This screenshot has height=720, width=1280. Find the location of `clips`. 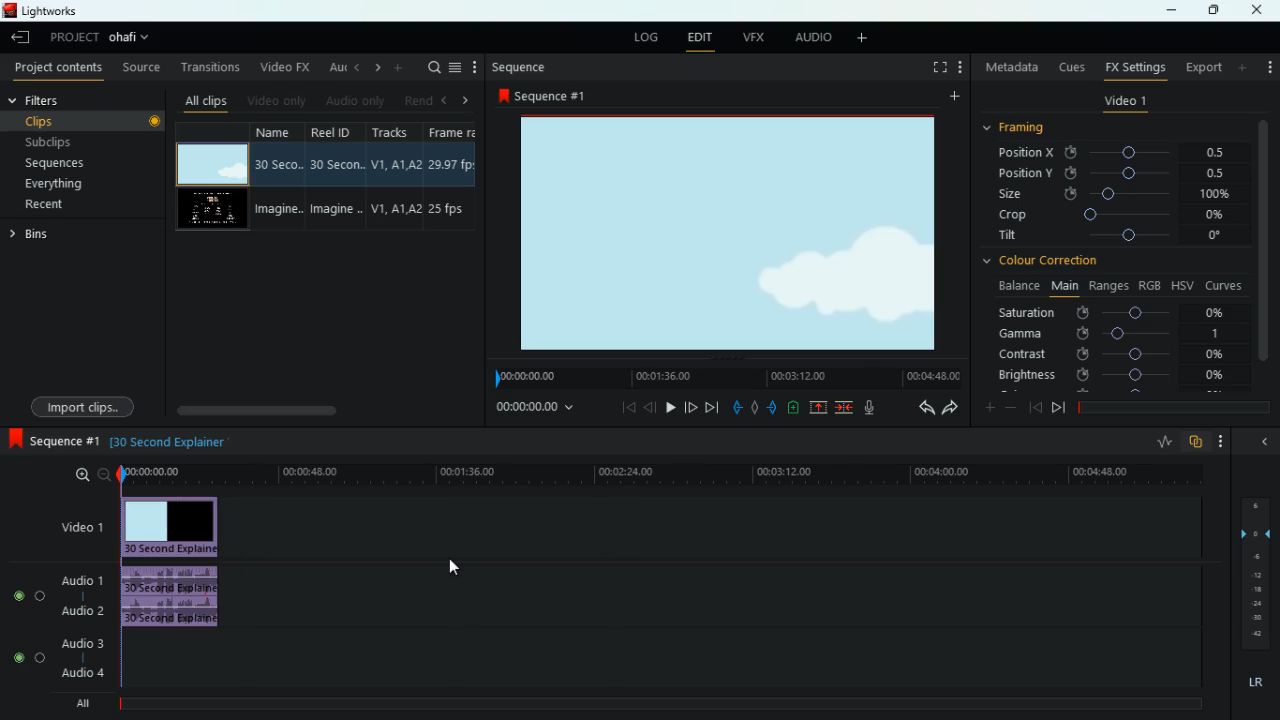

clips is located at coordinates (74, 121).